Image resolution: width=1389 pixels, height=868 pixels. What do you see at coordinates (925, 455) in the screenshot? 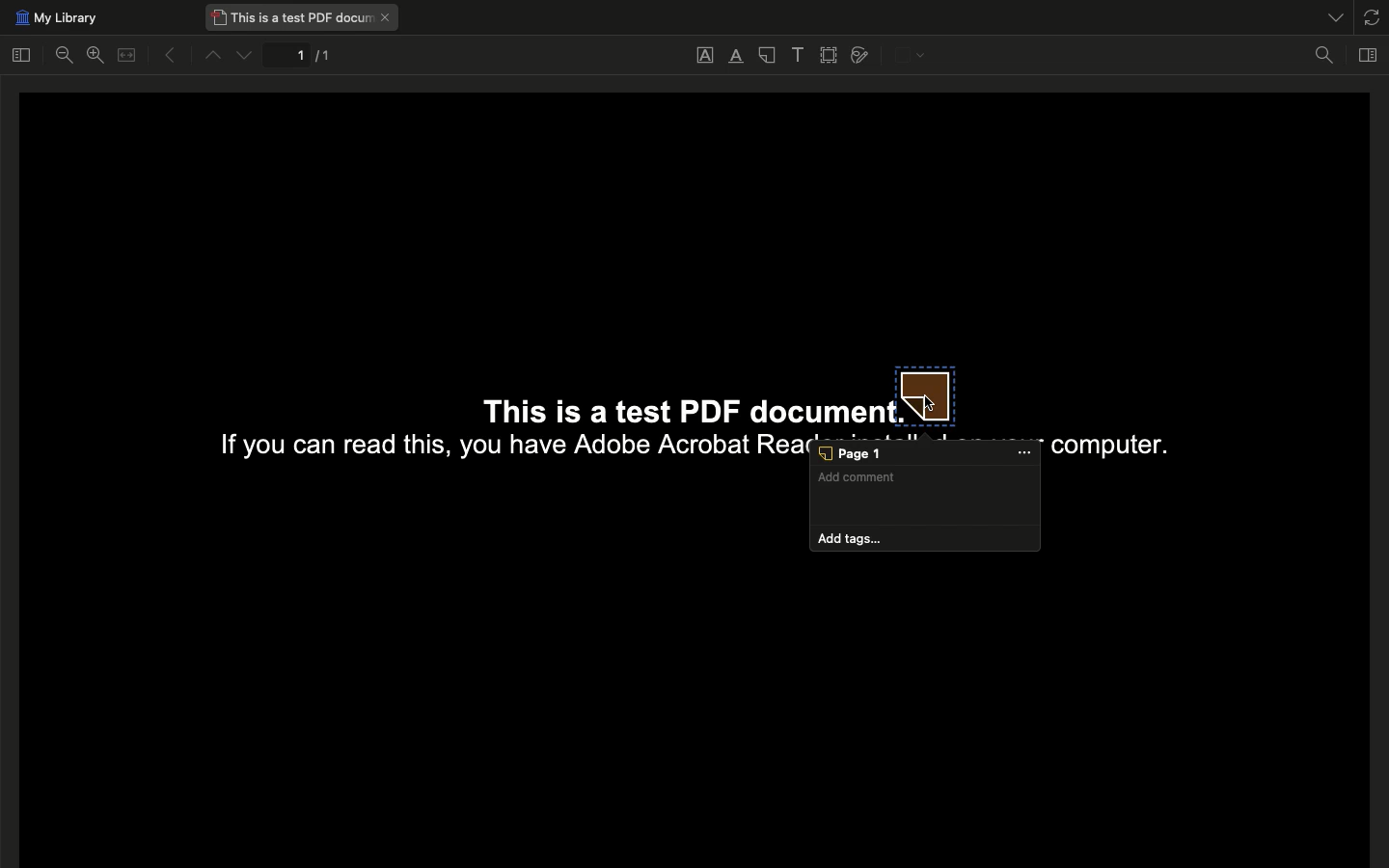
I see `Page 1` at bounding box center [925, 455].